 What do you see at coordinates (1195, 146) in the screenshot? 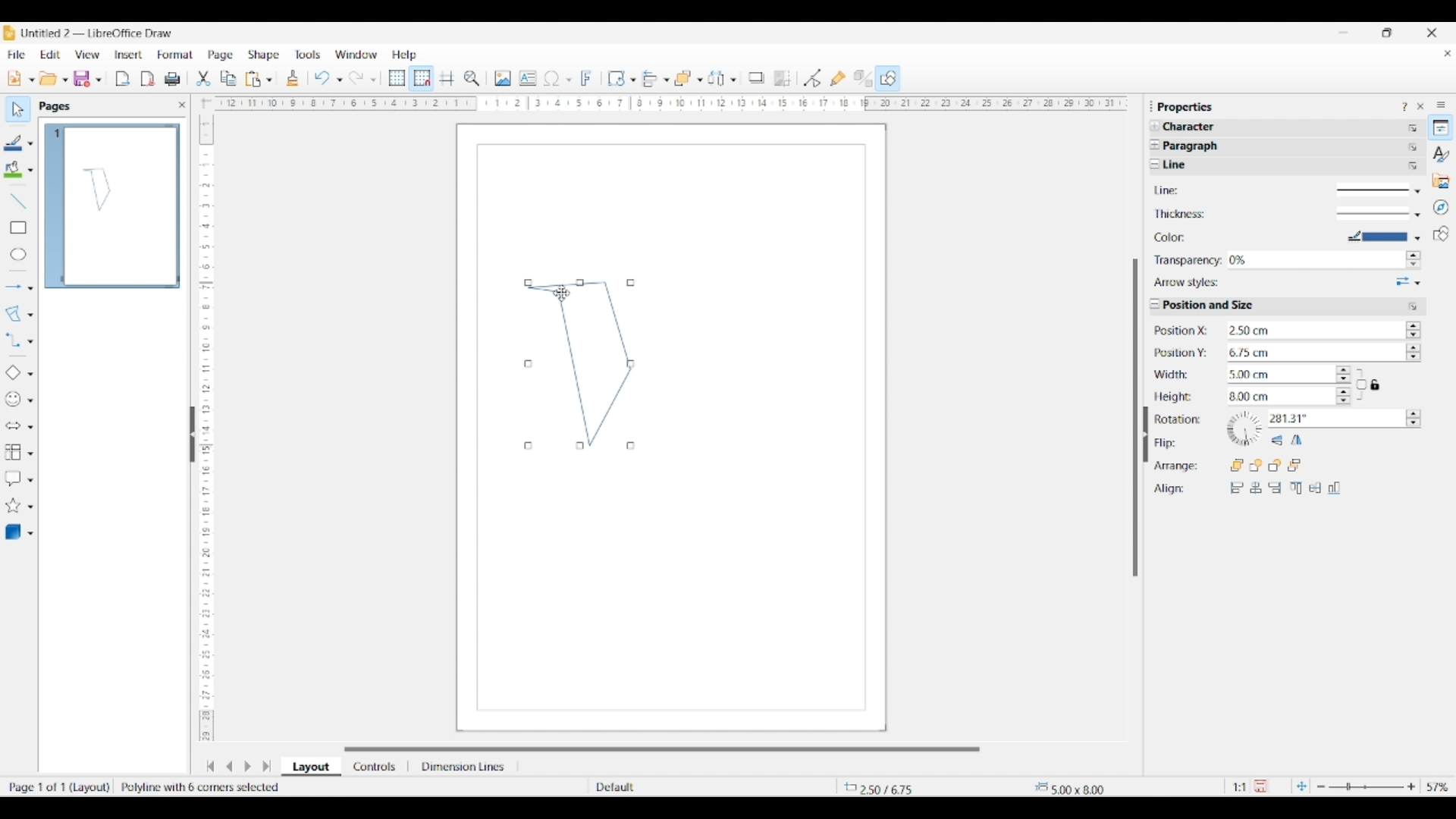
I see `Indicates paragraph property settings` at bounding box center [1195, 146].